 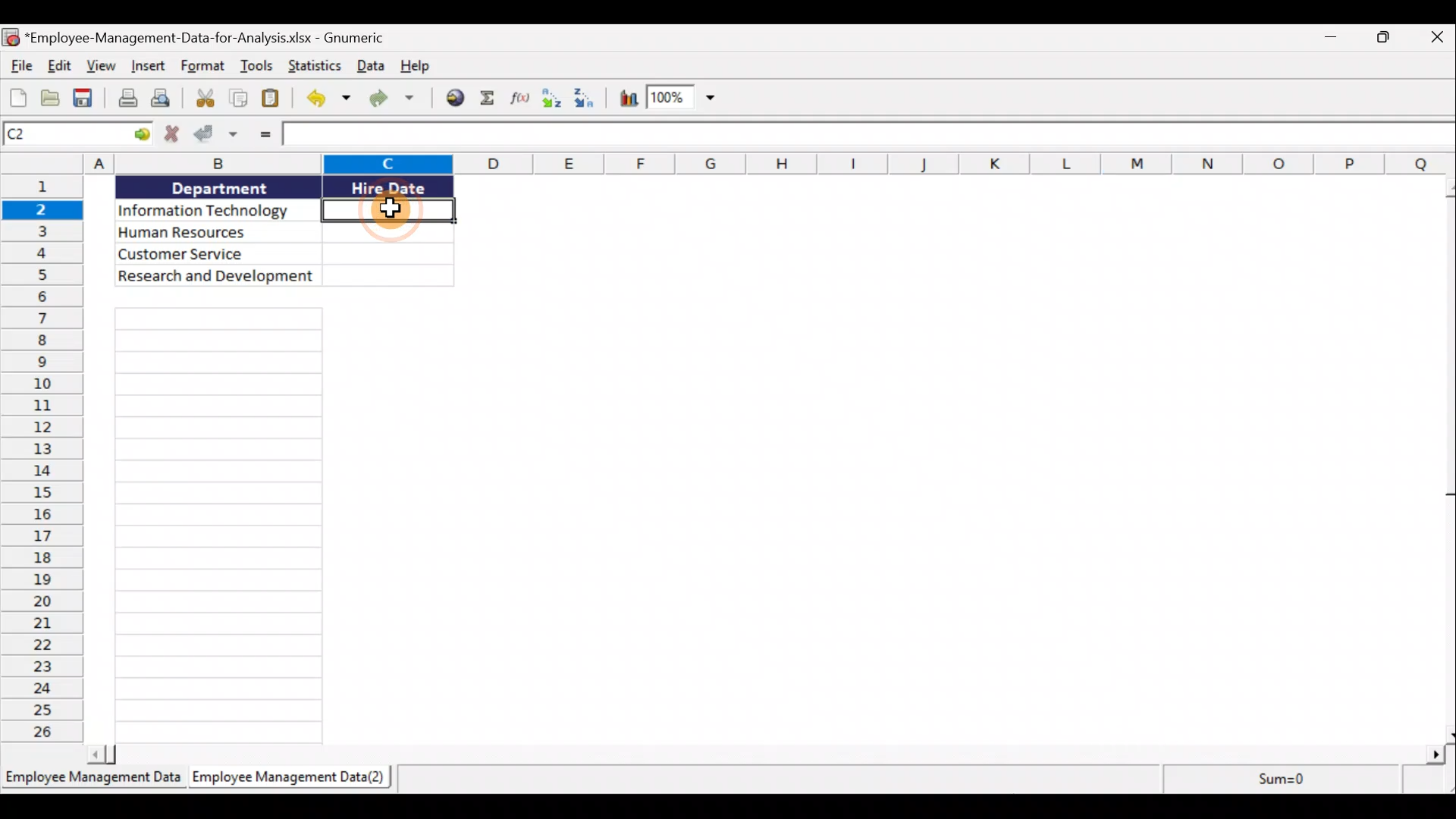 I want to click on cells, so click(x=215, y=526).